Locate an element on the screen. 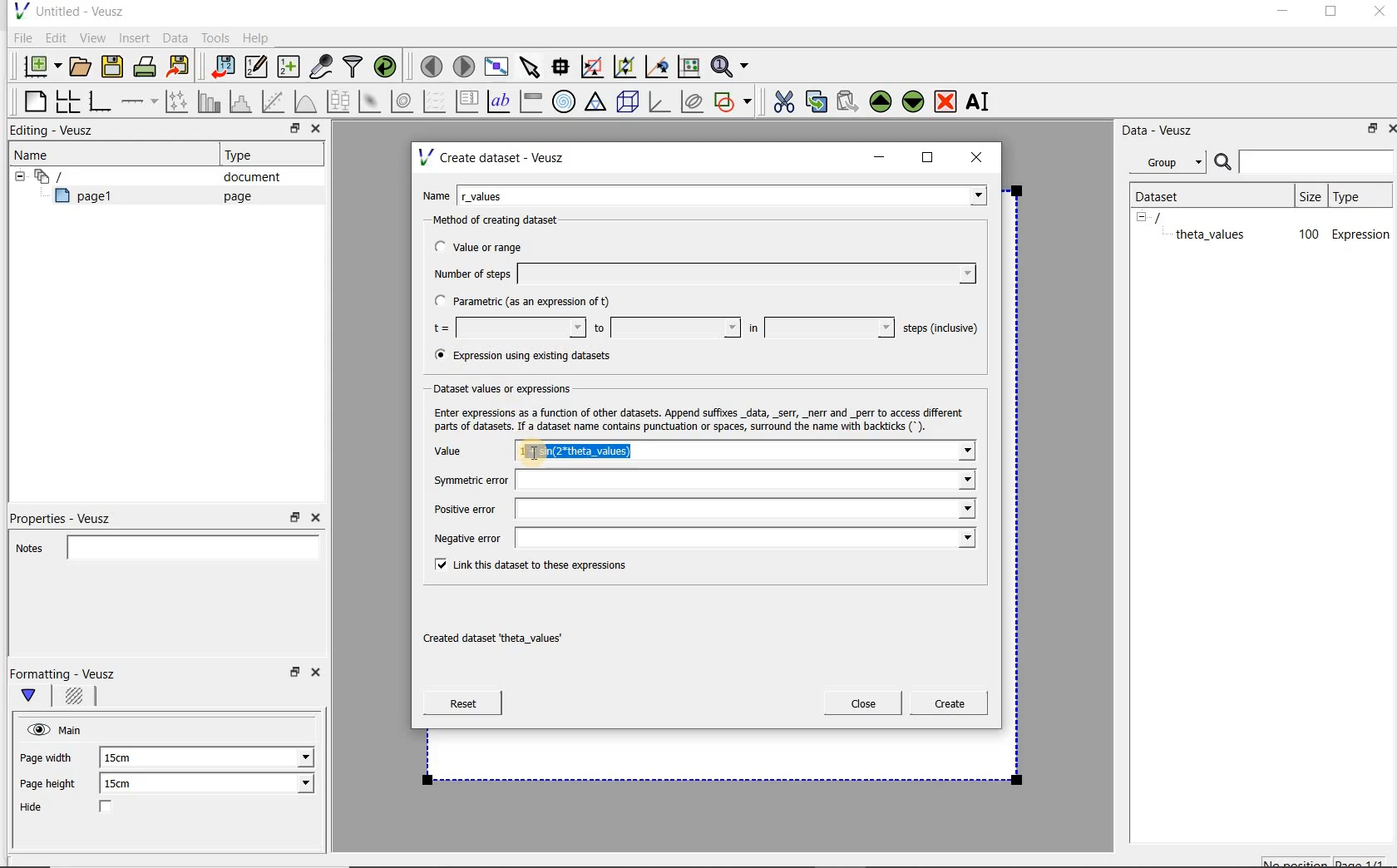  plot box plots is located at coordinates (338, 102).